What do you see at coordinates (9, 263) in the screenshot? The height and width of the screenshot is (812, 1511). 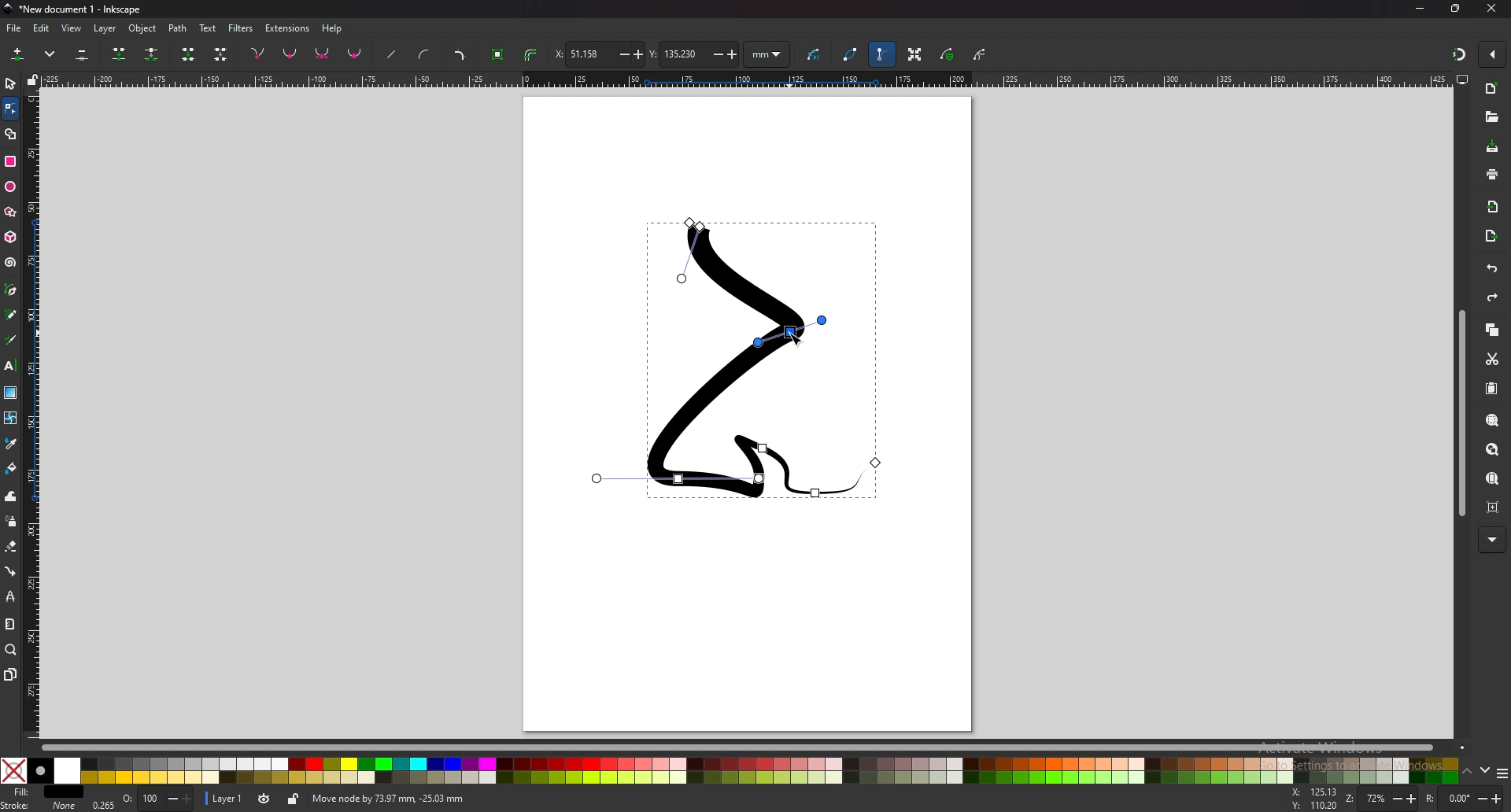 I see `spiral` at bounding box center [9, 263].